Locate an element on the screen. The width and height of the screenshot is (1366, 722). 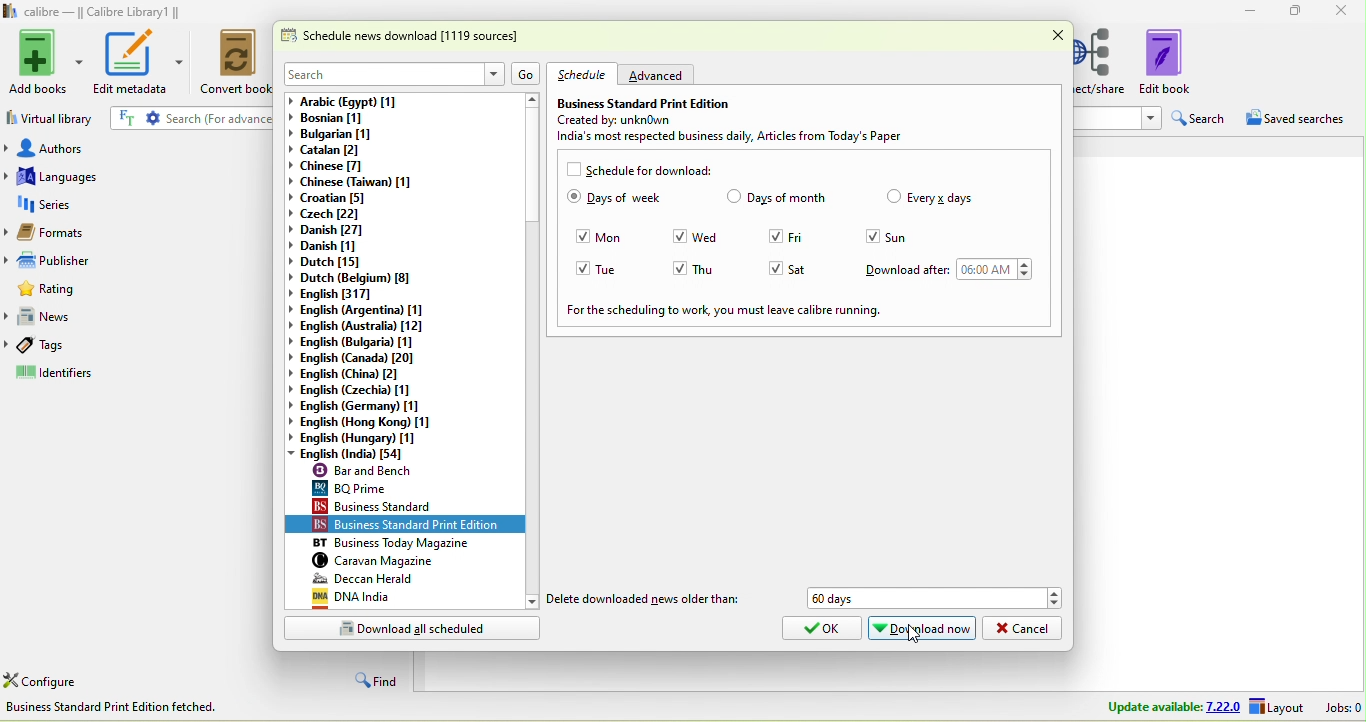
edit book is located at coordinates (1178, 63).